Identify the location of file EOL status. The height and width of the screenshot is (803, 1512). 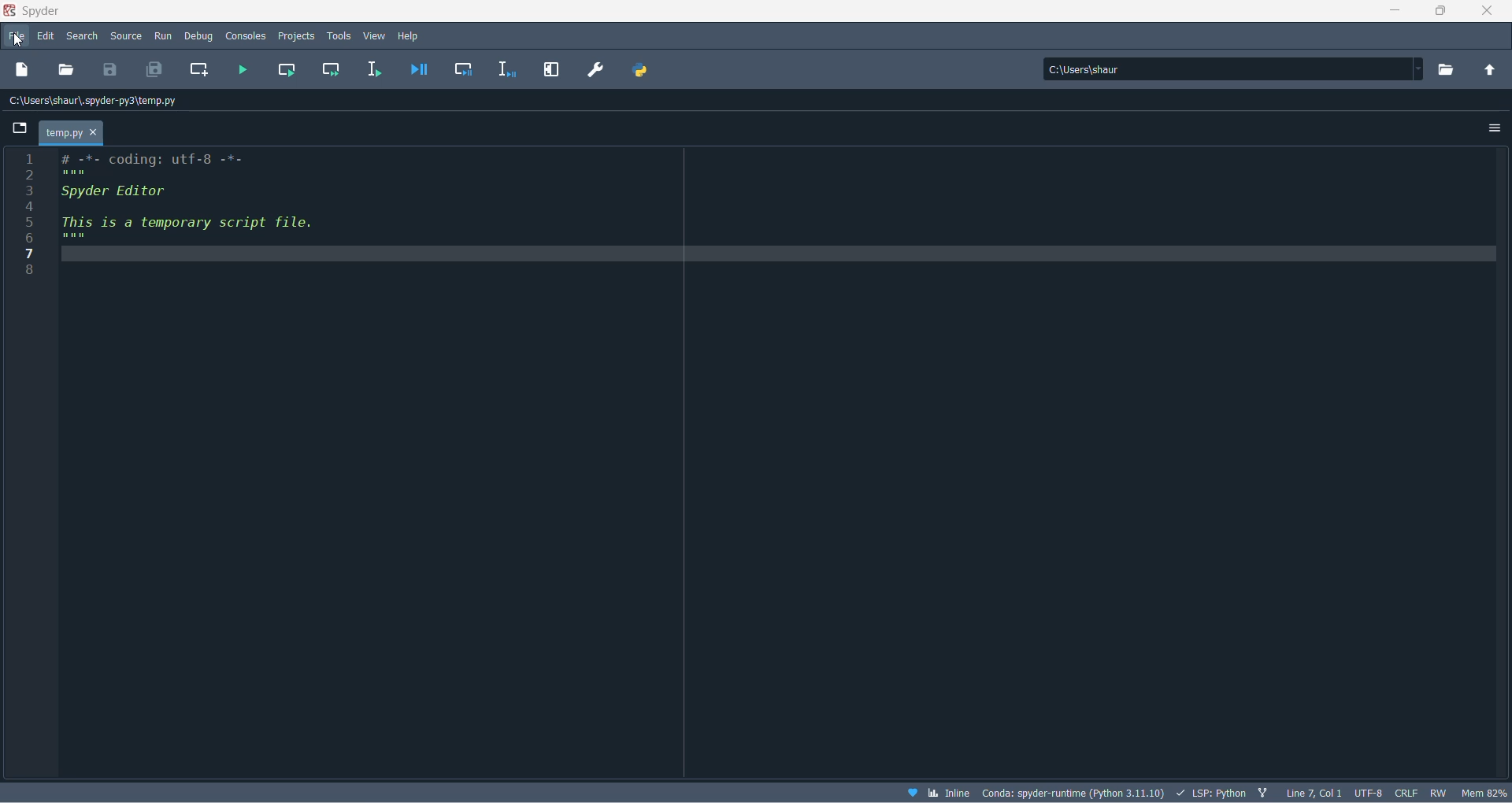
(1406, 792).